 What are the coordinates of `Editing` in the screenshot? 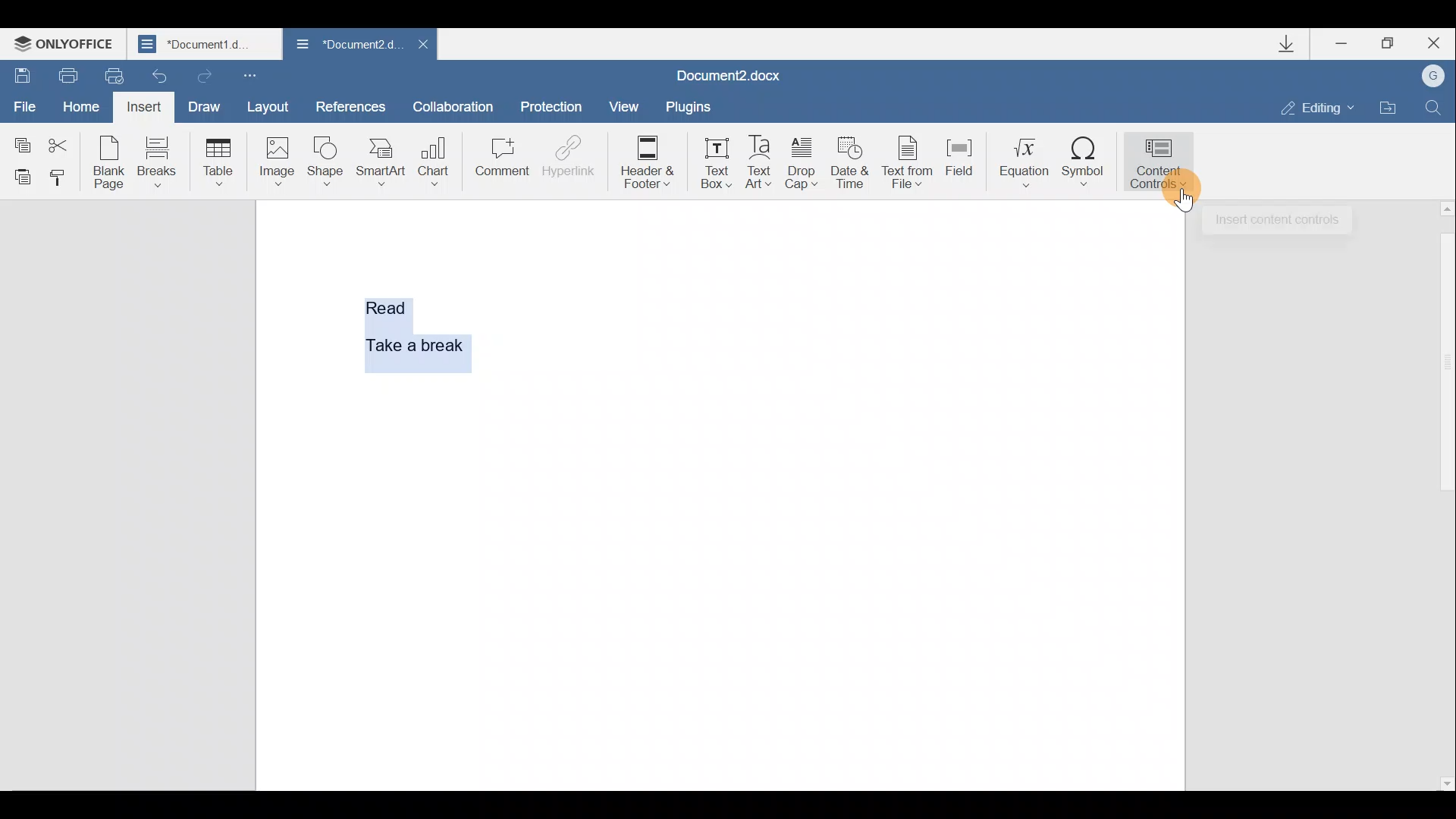 It's located at (1323, 108).